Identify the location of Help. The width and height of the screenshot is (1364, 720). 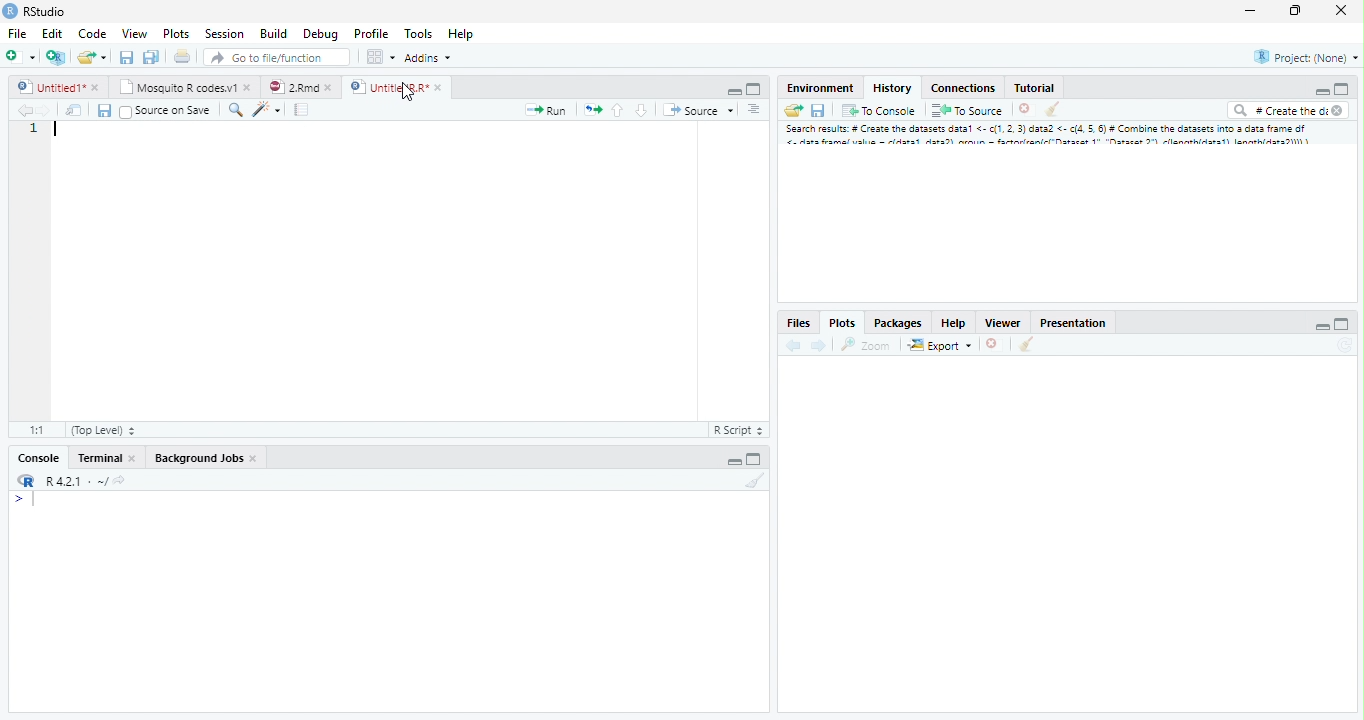
(460, 34).